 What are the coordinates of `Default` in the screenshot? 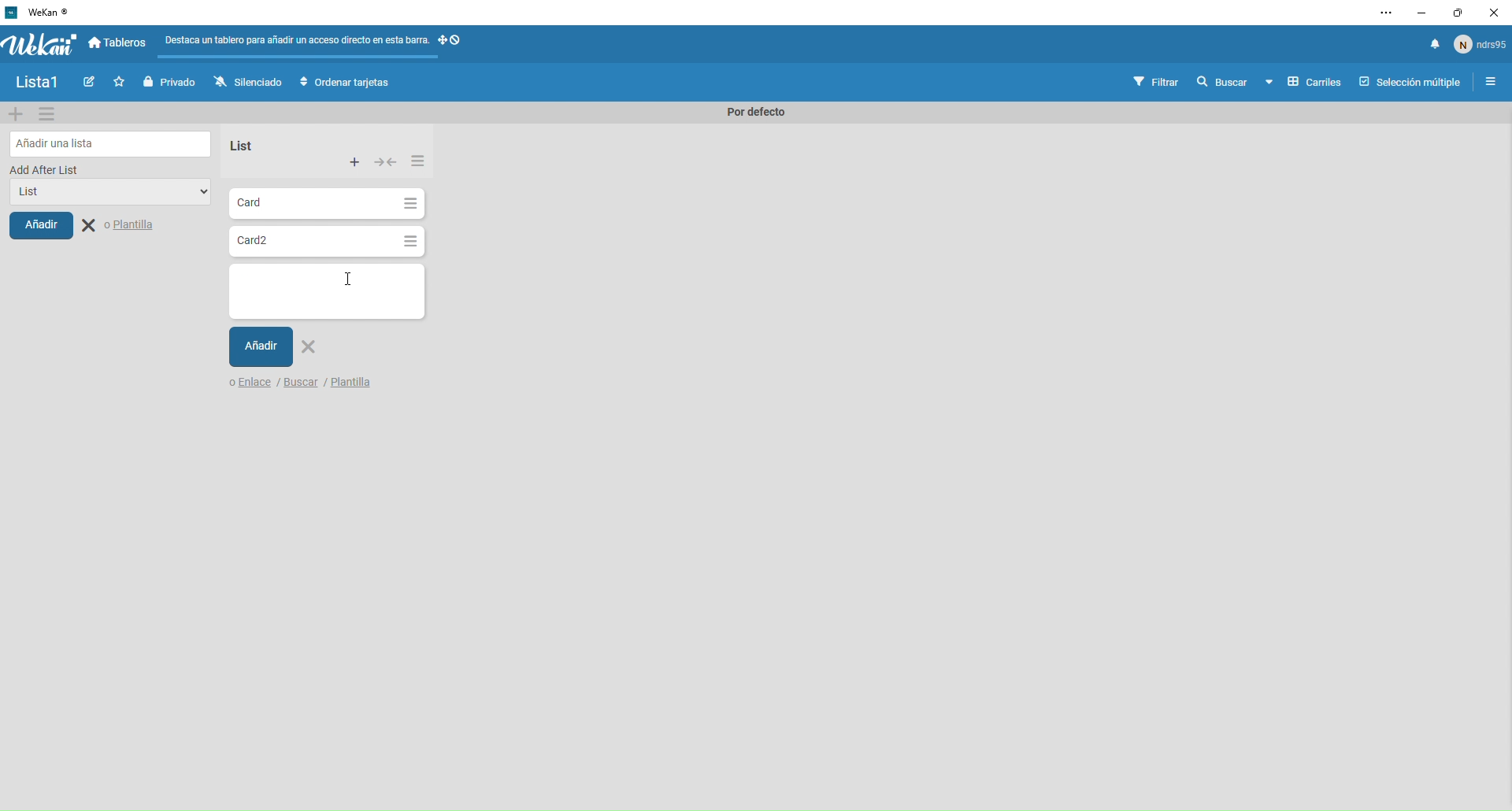 It's located at (751, 113).